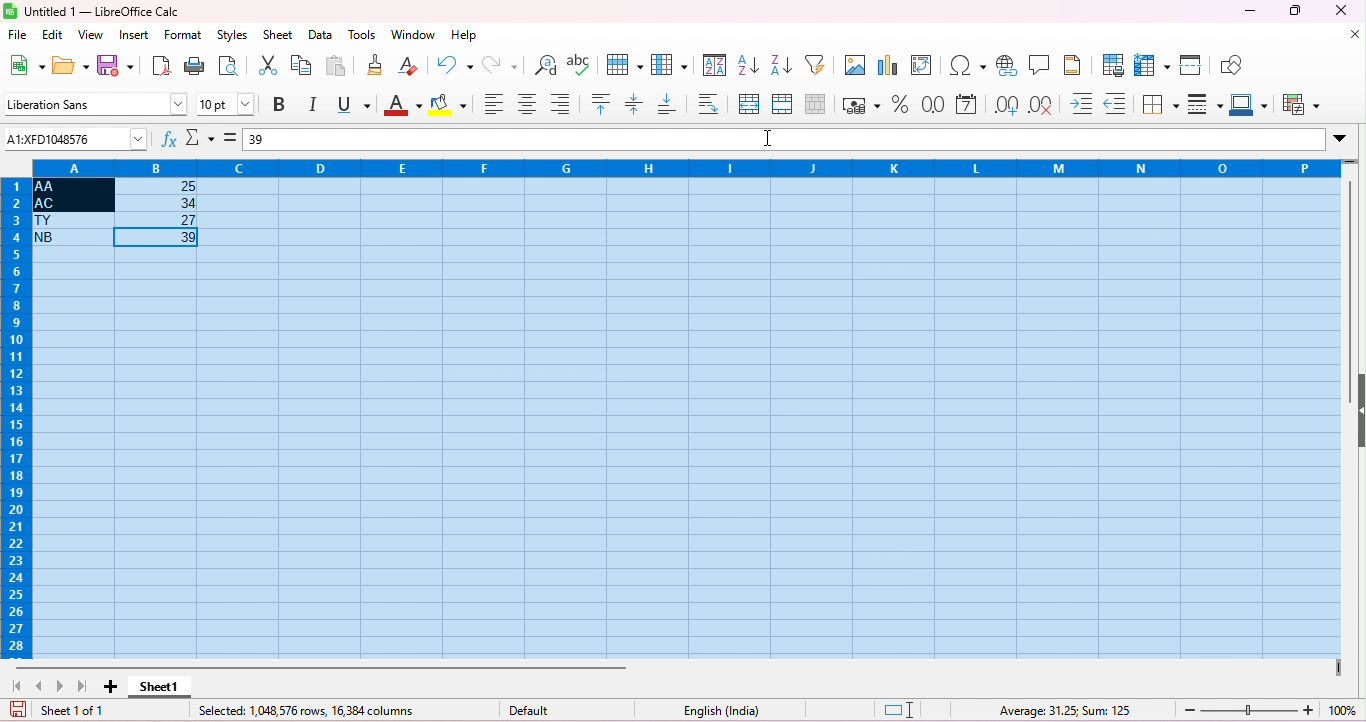 This screenshot has height=722, width=1366. Describe the element at coordinates (968, 105) in the screenshot. I see `format as date` at that location.